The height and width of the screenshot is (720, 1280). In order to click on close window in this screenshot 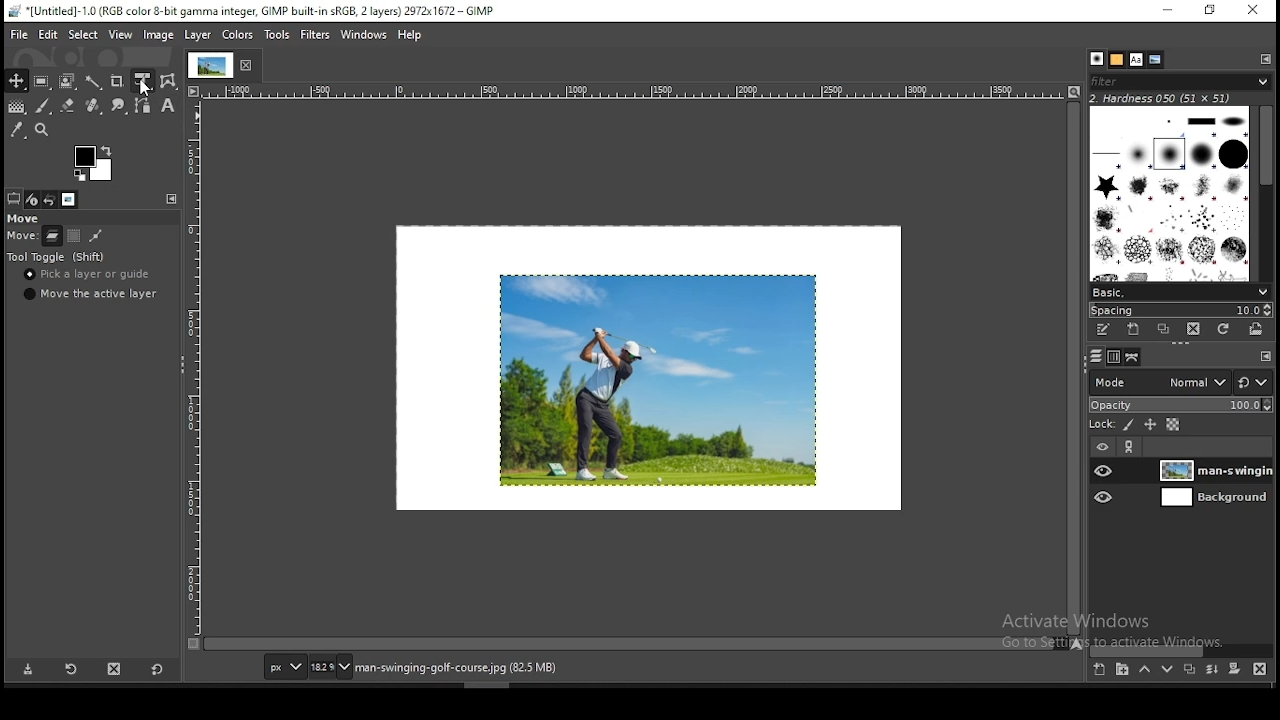, I will do `click(1254, 11)`.